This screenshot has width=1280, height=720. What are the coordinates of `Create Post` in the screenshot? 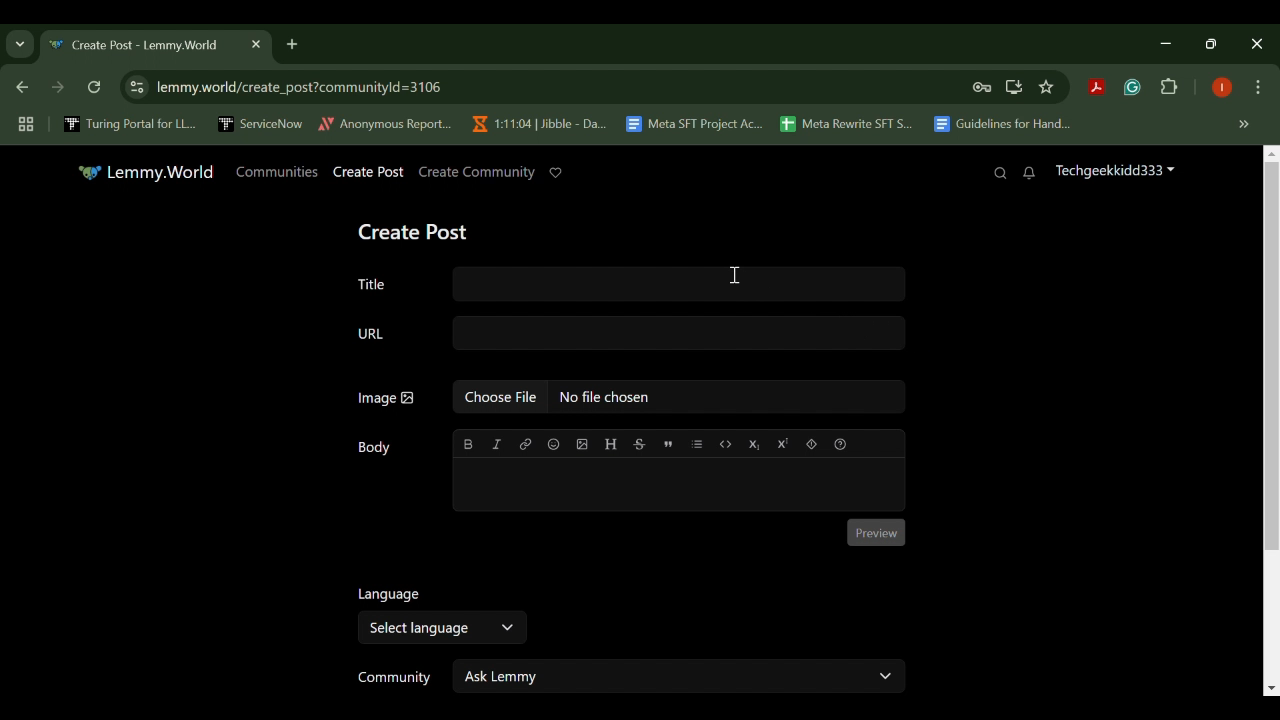 It's located at (417, 229).